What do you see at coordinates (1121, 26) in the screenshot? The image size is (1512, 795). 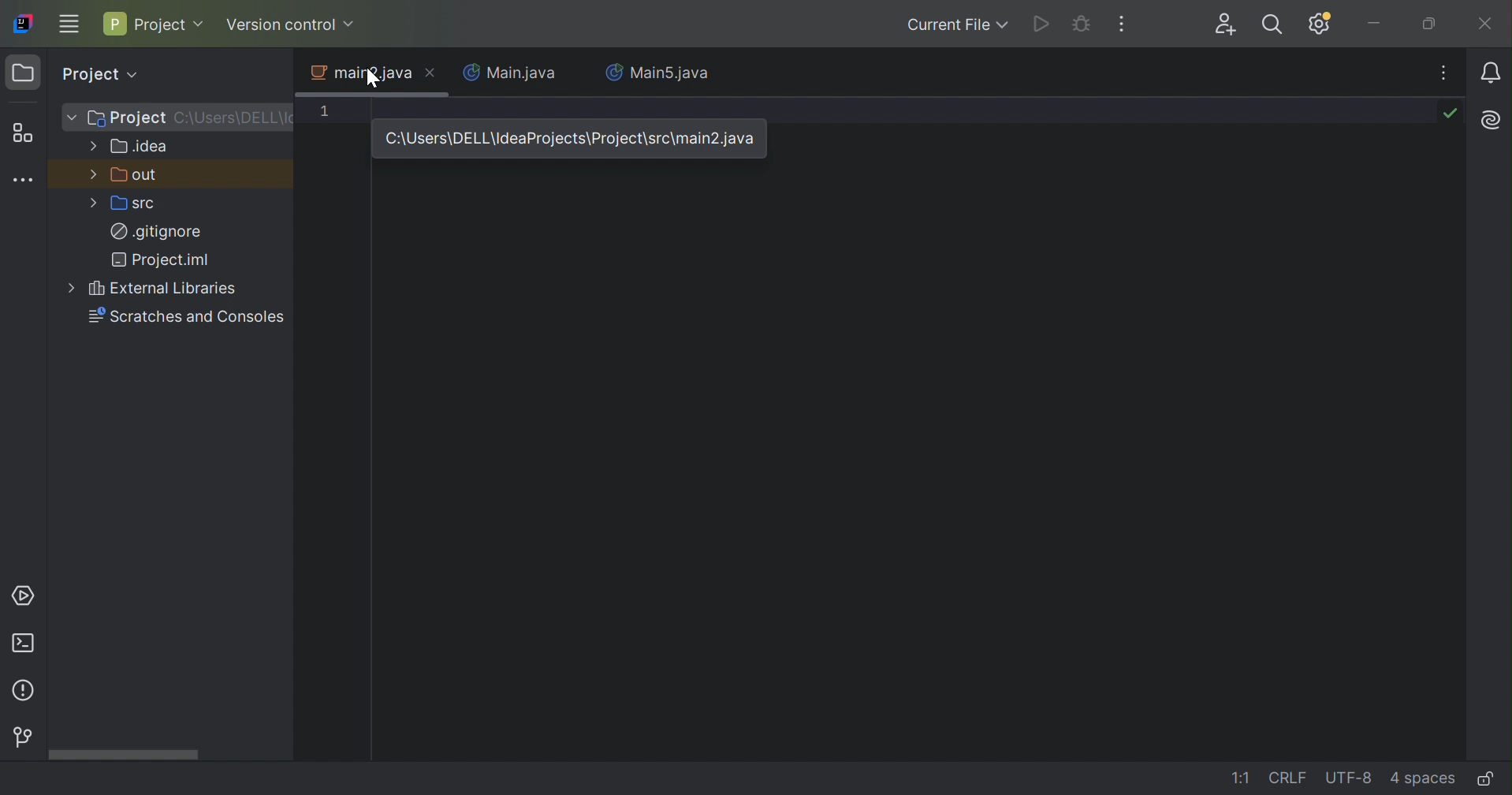 I see `More actions` at bounding box center [1121, 26].